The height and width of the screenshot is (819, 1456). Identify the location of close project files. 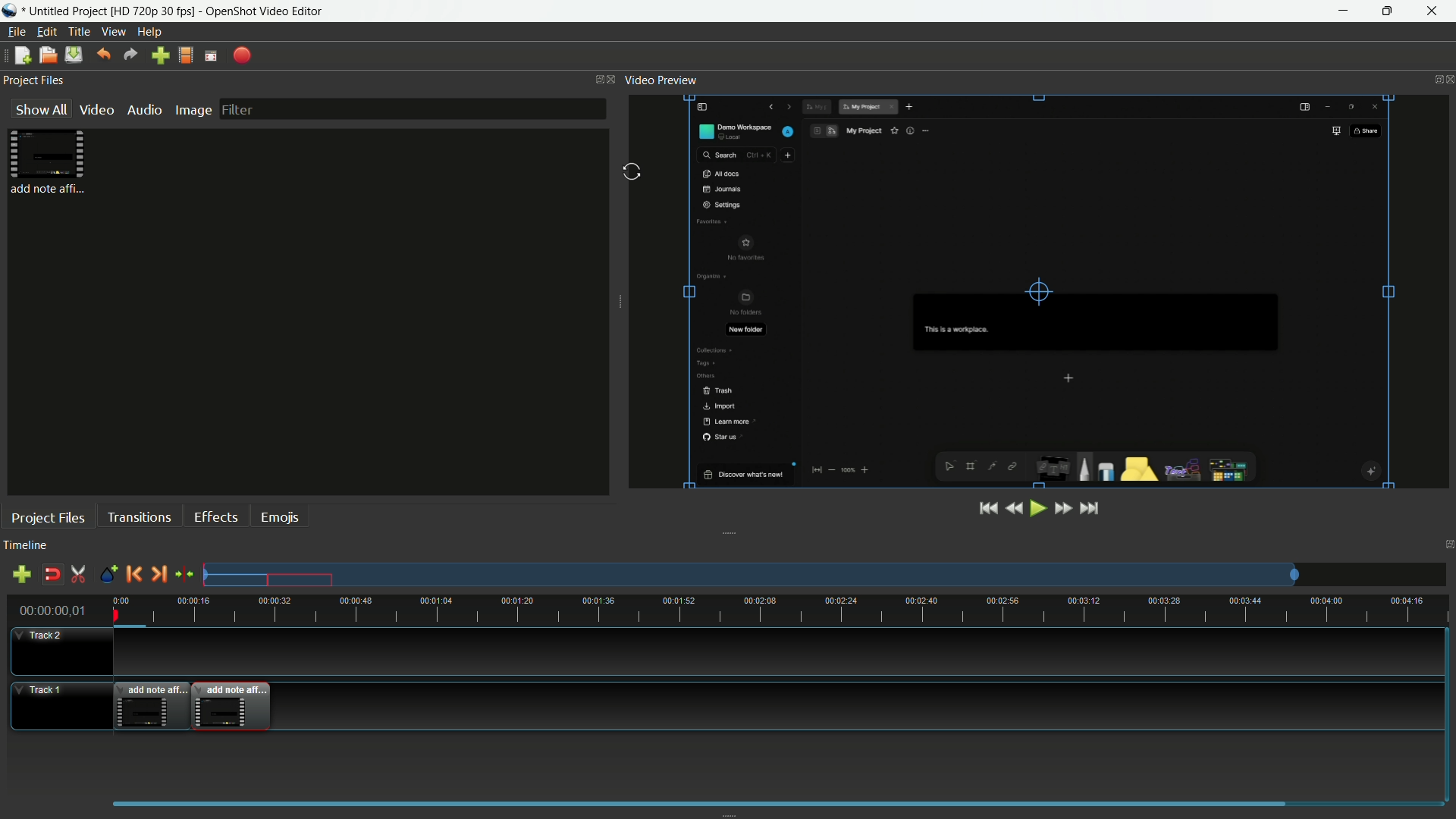
(613, 79).